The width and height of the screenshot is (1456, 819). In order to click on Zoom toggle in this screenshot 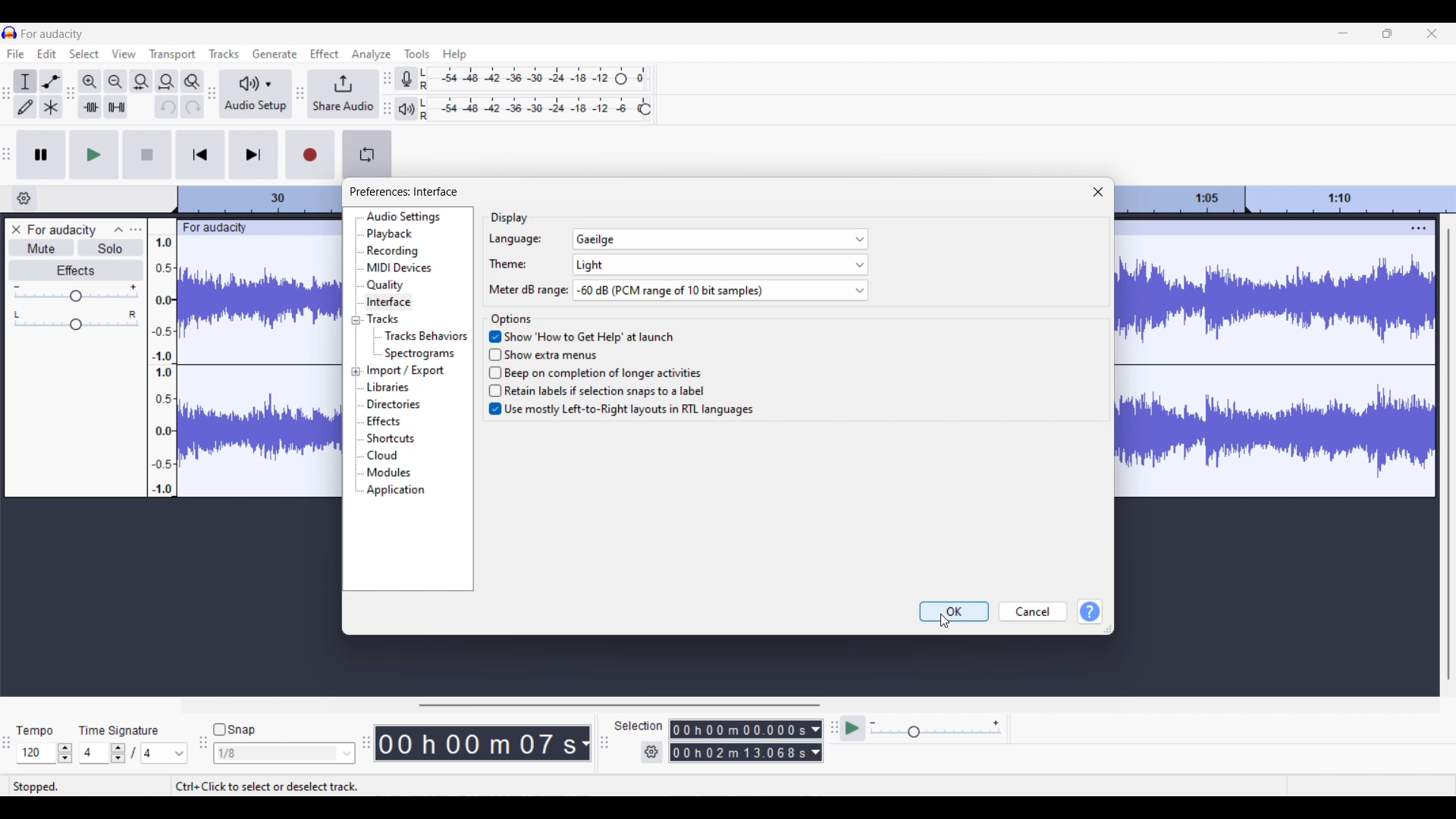, I will do `click(192, 81)`.